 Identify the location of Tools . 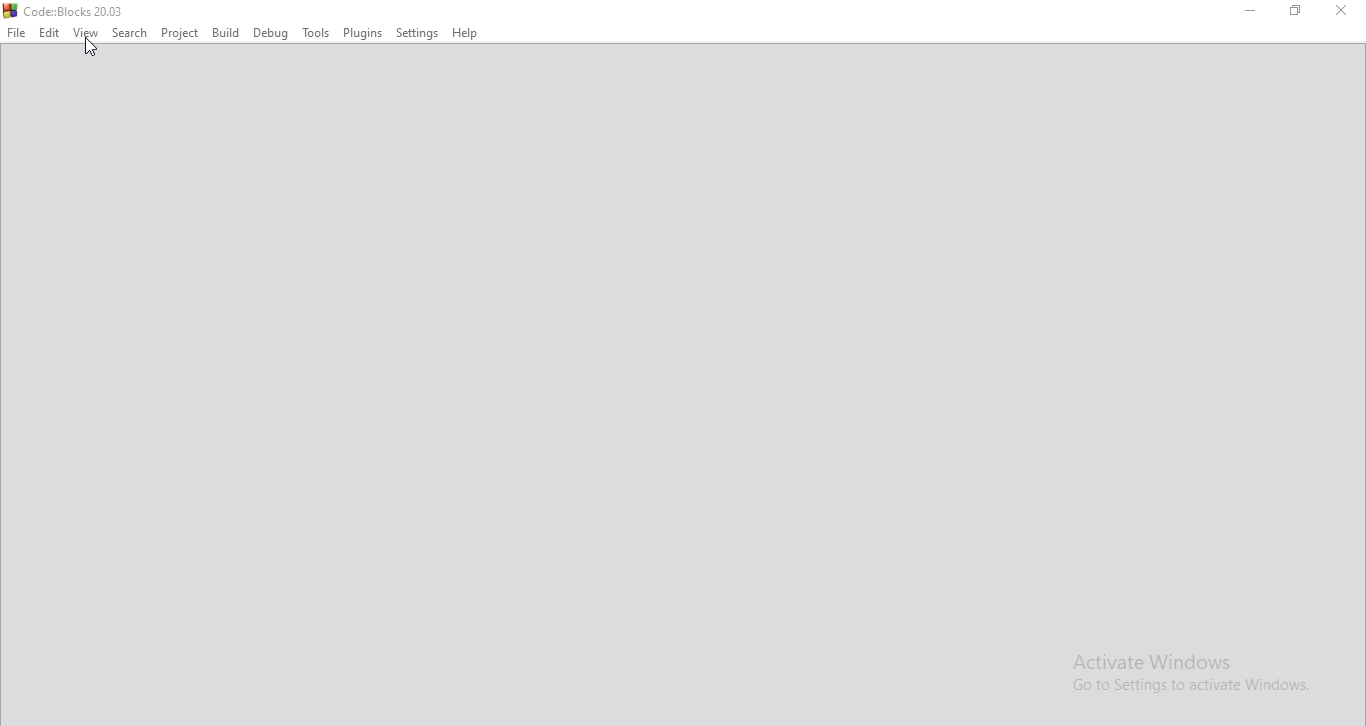
(316, 31).